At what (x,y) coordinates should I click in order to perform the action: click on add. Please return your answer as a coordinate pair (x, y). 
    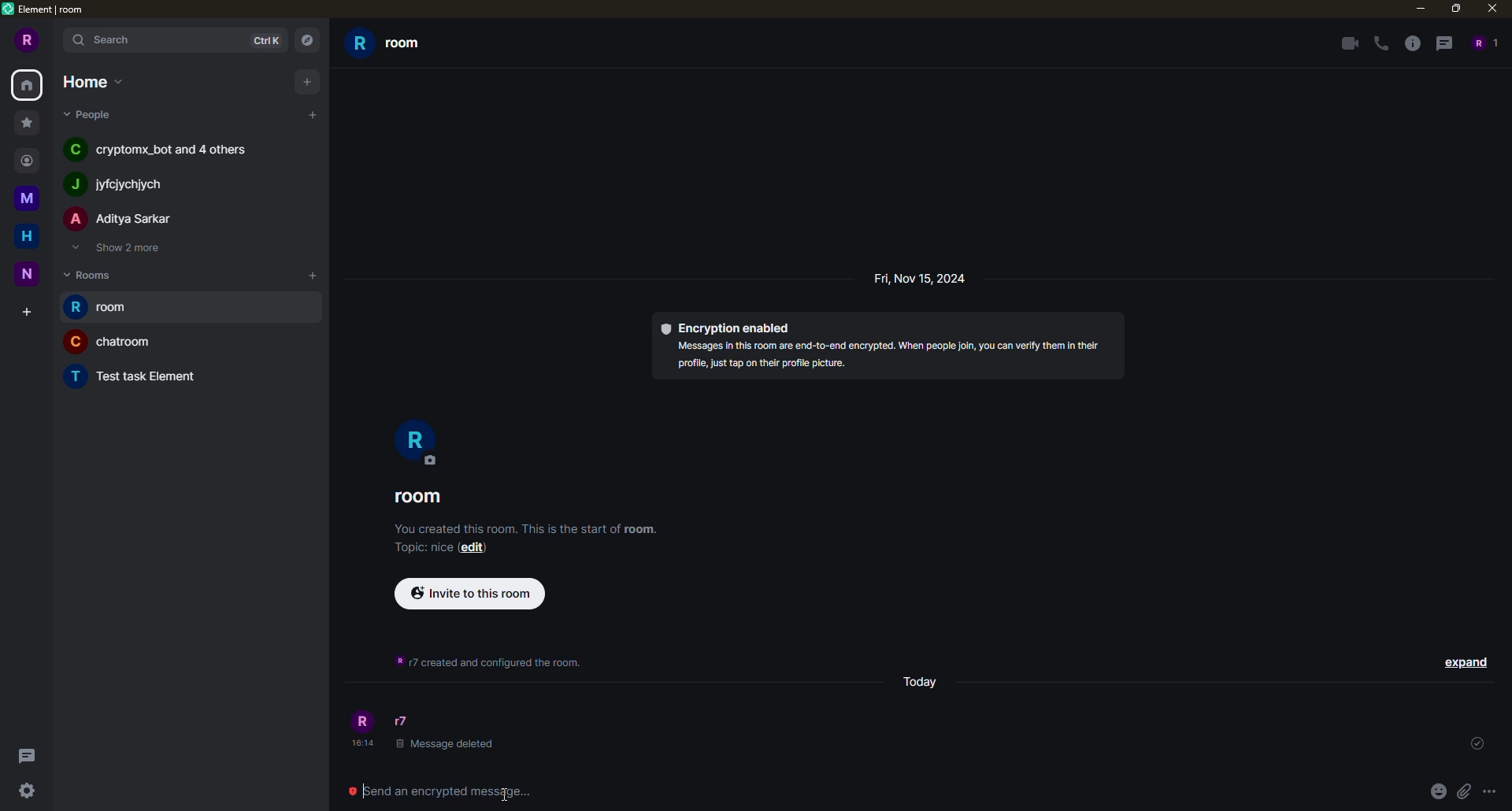
    Looking at the image, I should click on (309, 275).